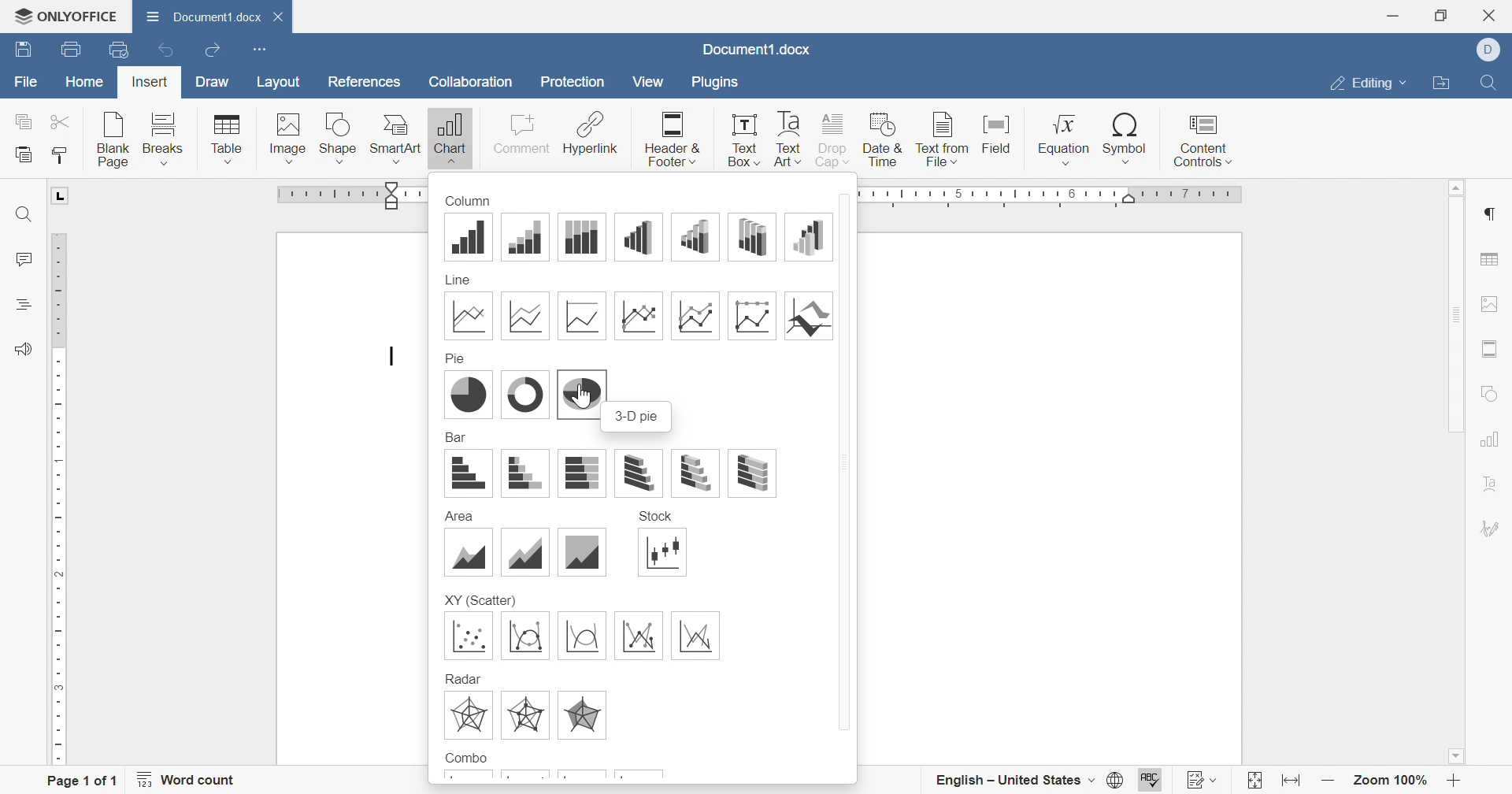 The height and width of the screenshot is (794, 1512). What do you see at coordinates (584, 716) in the screenshot?
I see `Filled radar` at bounding box center [584, 716].